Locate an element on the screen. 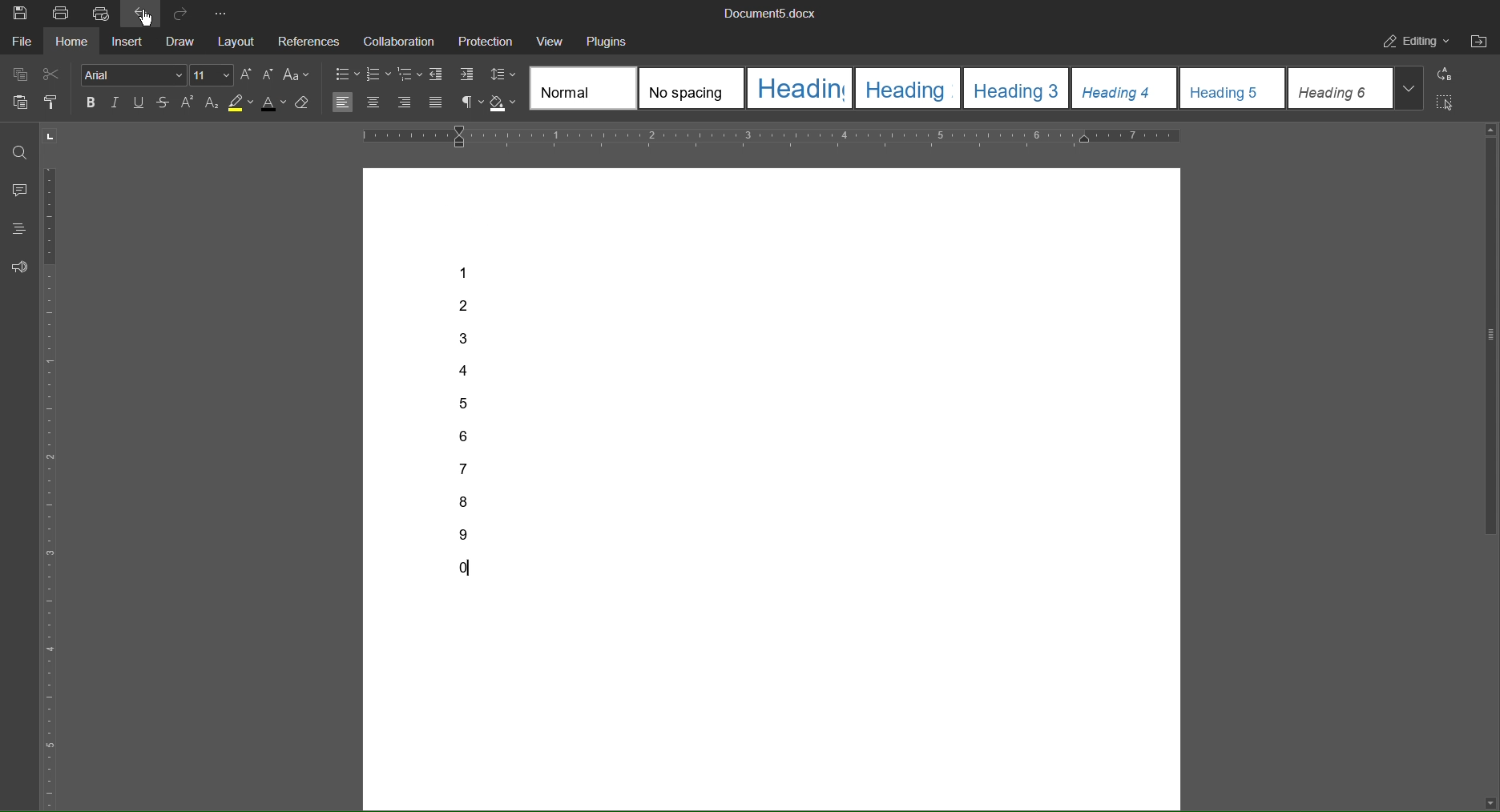 This screenshot has width=1500, height=812. Undo is located at coordinates (142, 13).